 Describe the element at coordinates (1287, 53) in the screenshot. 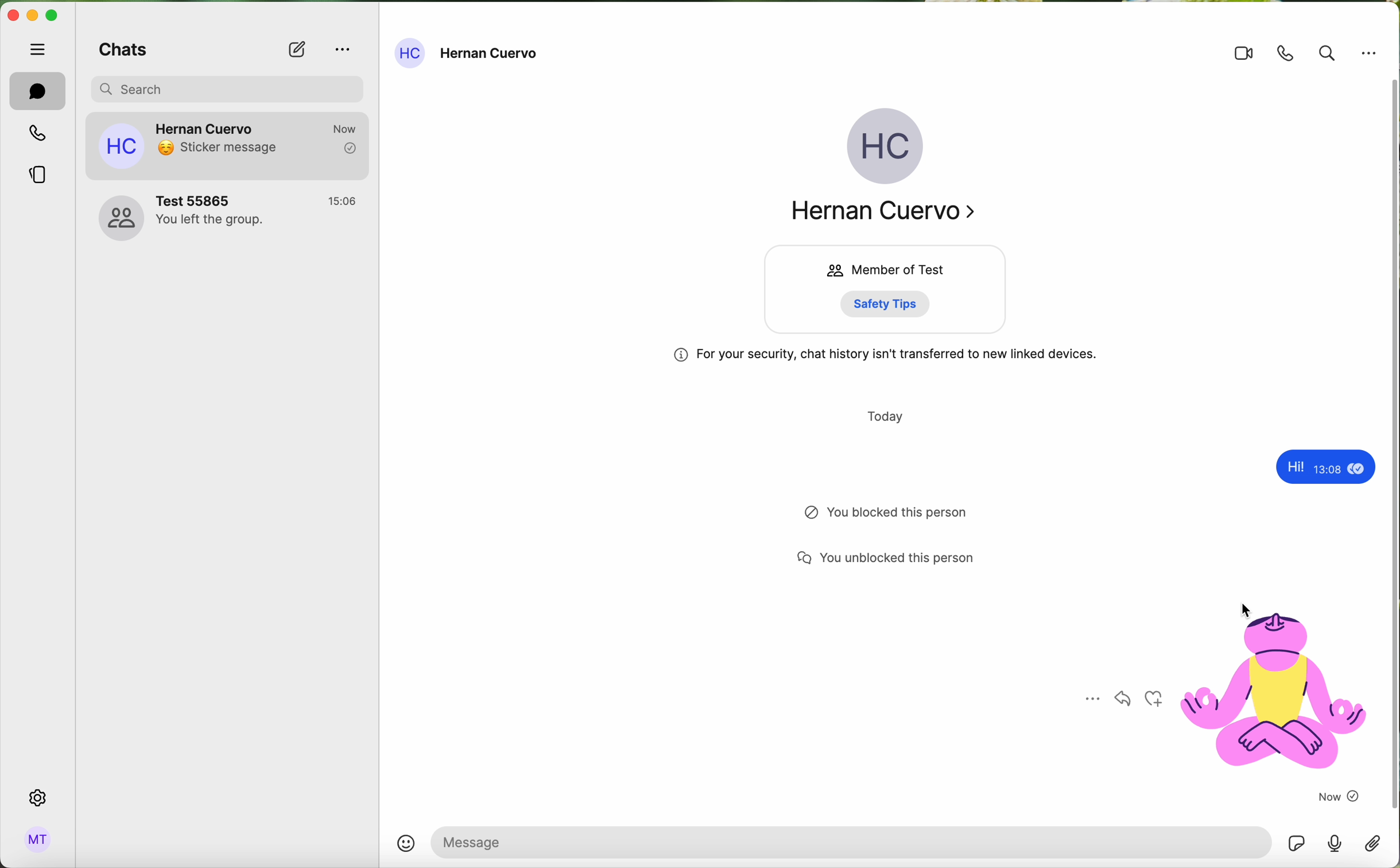

I see `call` at that location.